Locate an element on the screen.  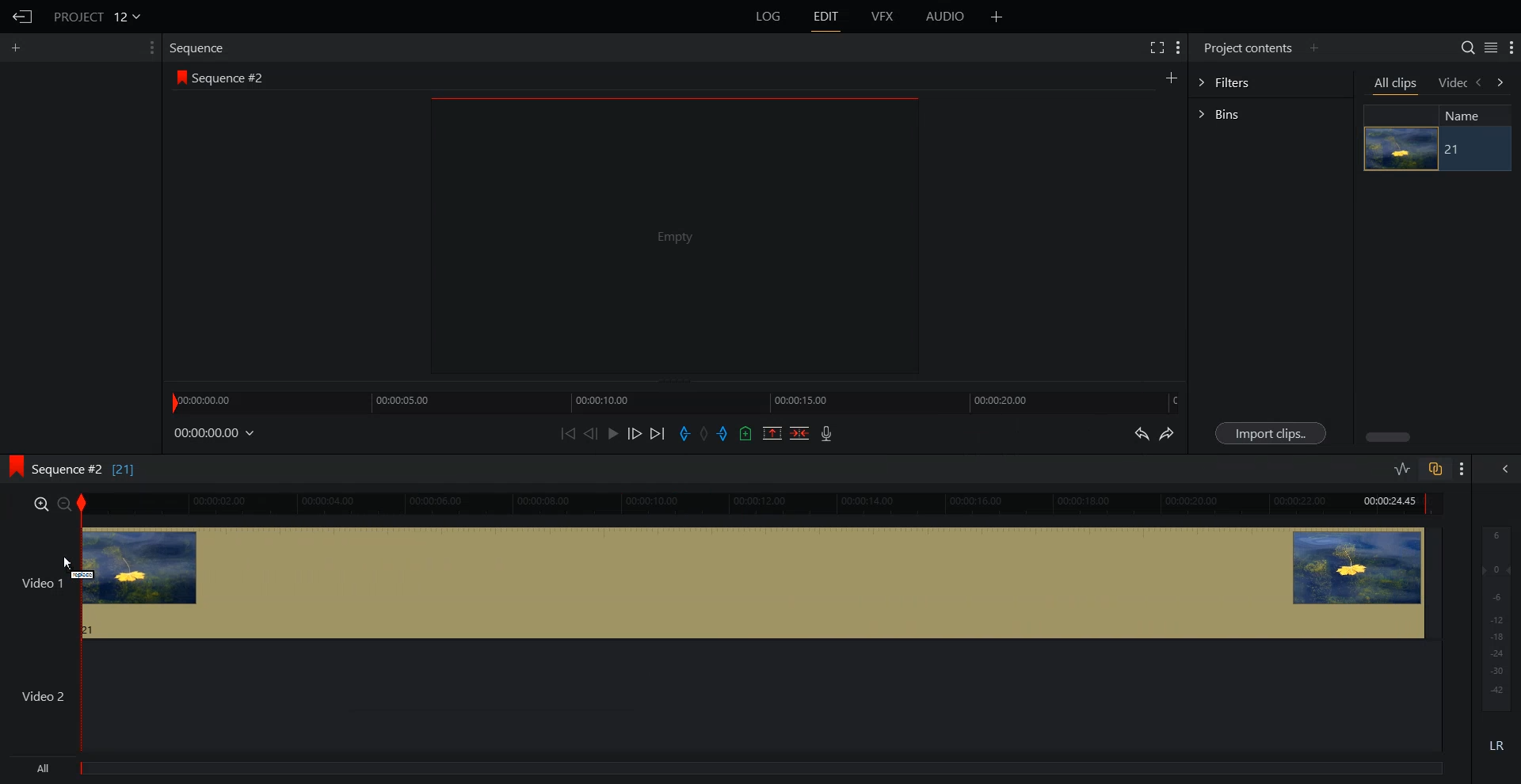
LOG is located at coordinates (769, 17).